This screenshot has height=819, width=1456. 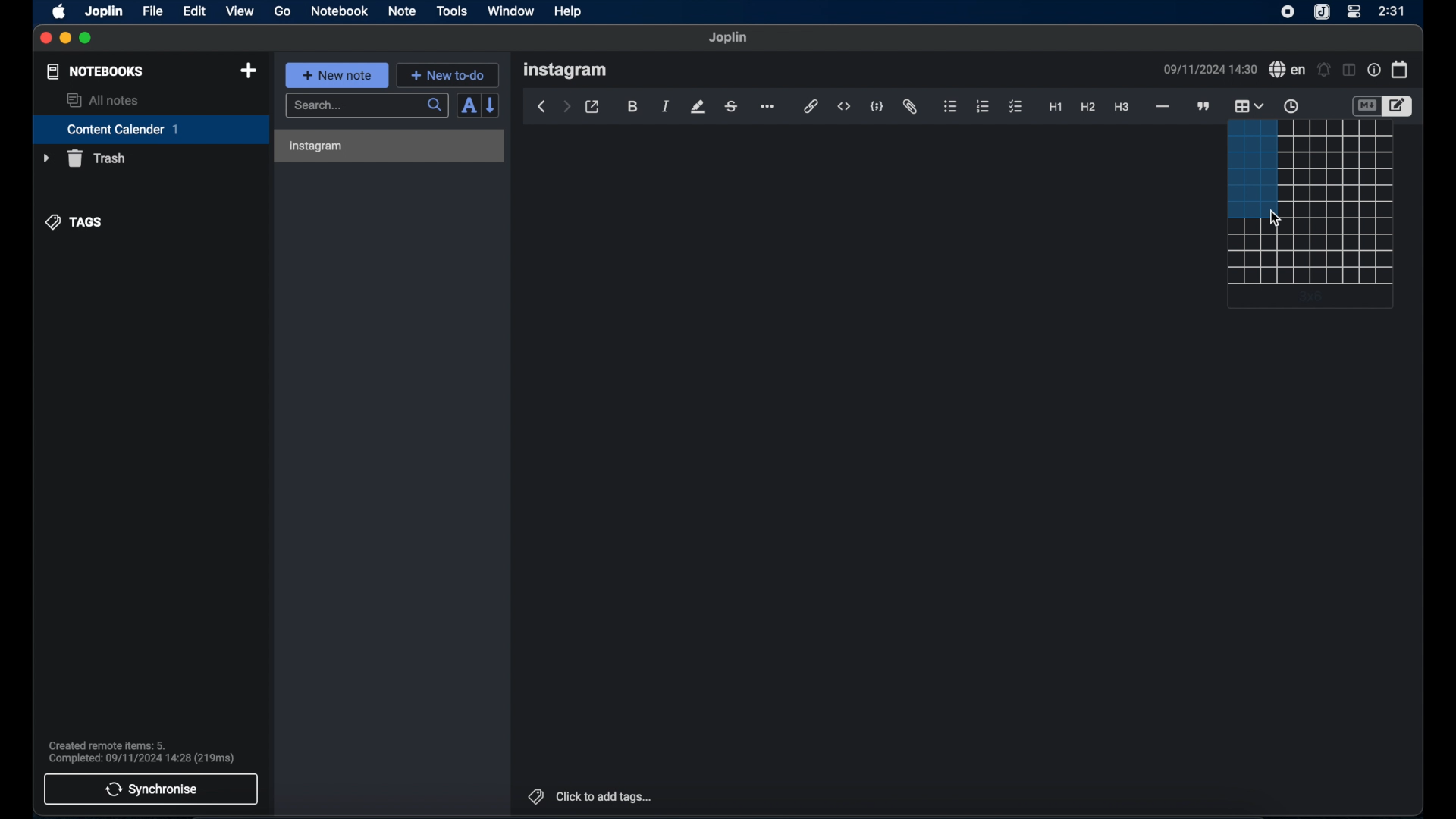 I want to click on numbered list, so click(x=984, y=107).